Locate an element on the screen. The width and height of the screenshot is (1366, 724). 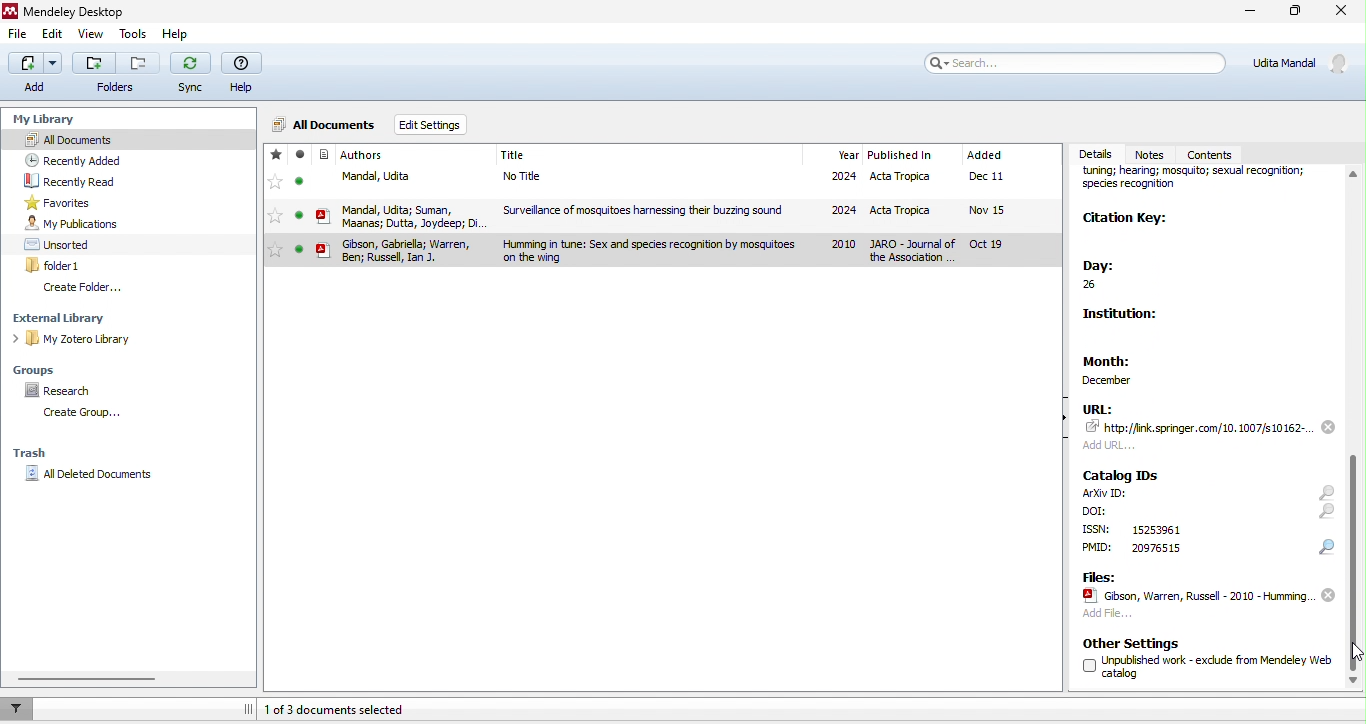
contents is located at coordinates (1219, 152).